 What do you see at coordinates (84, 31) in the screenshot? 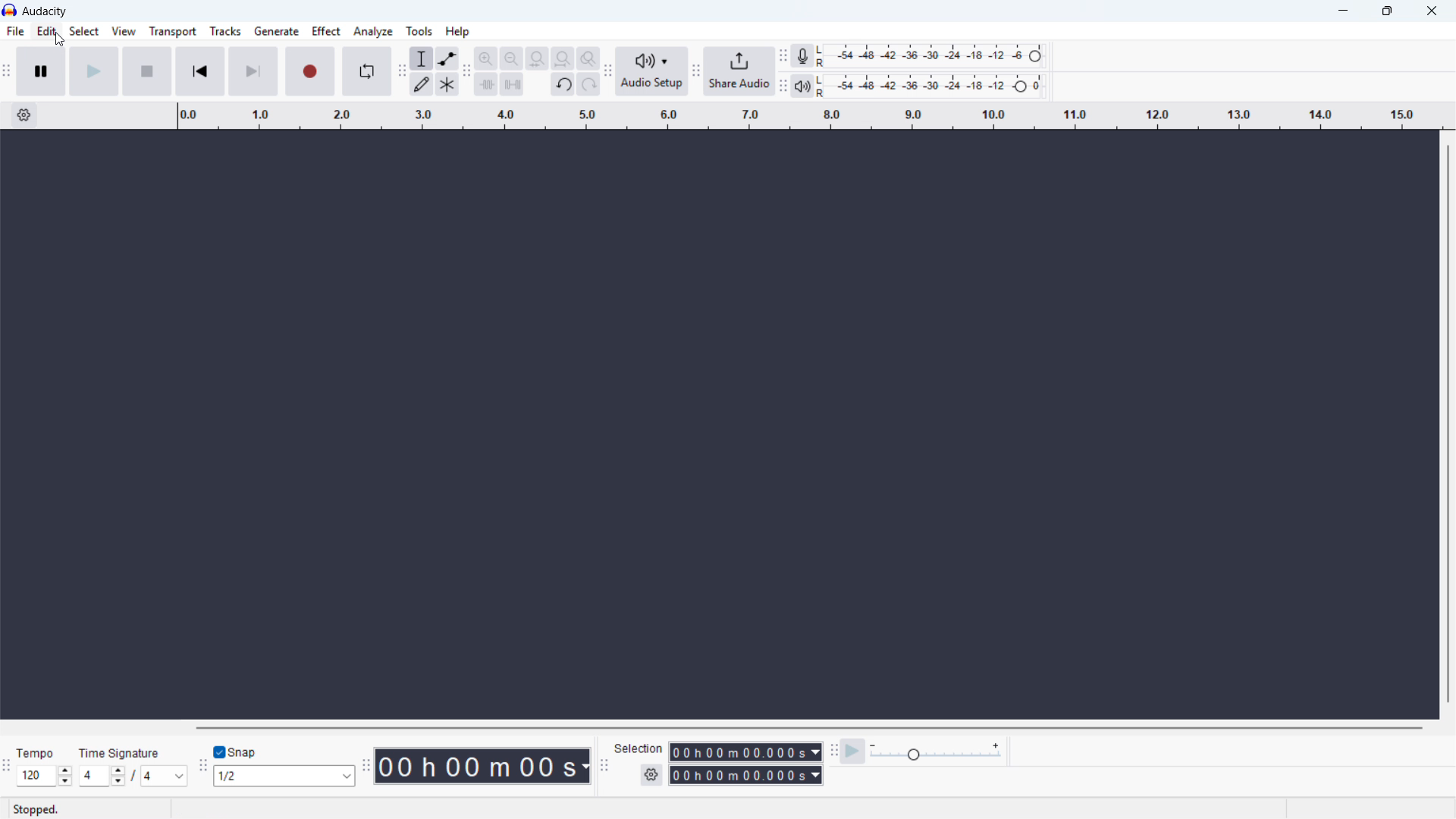
I see `select` at bounding box center [84, 31].